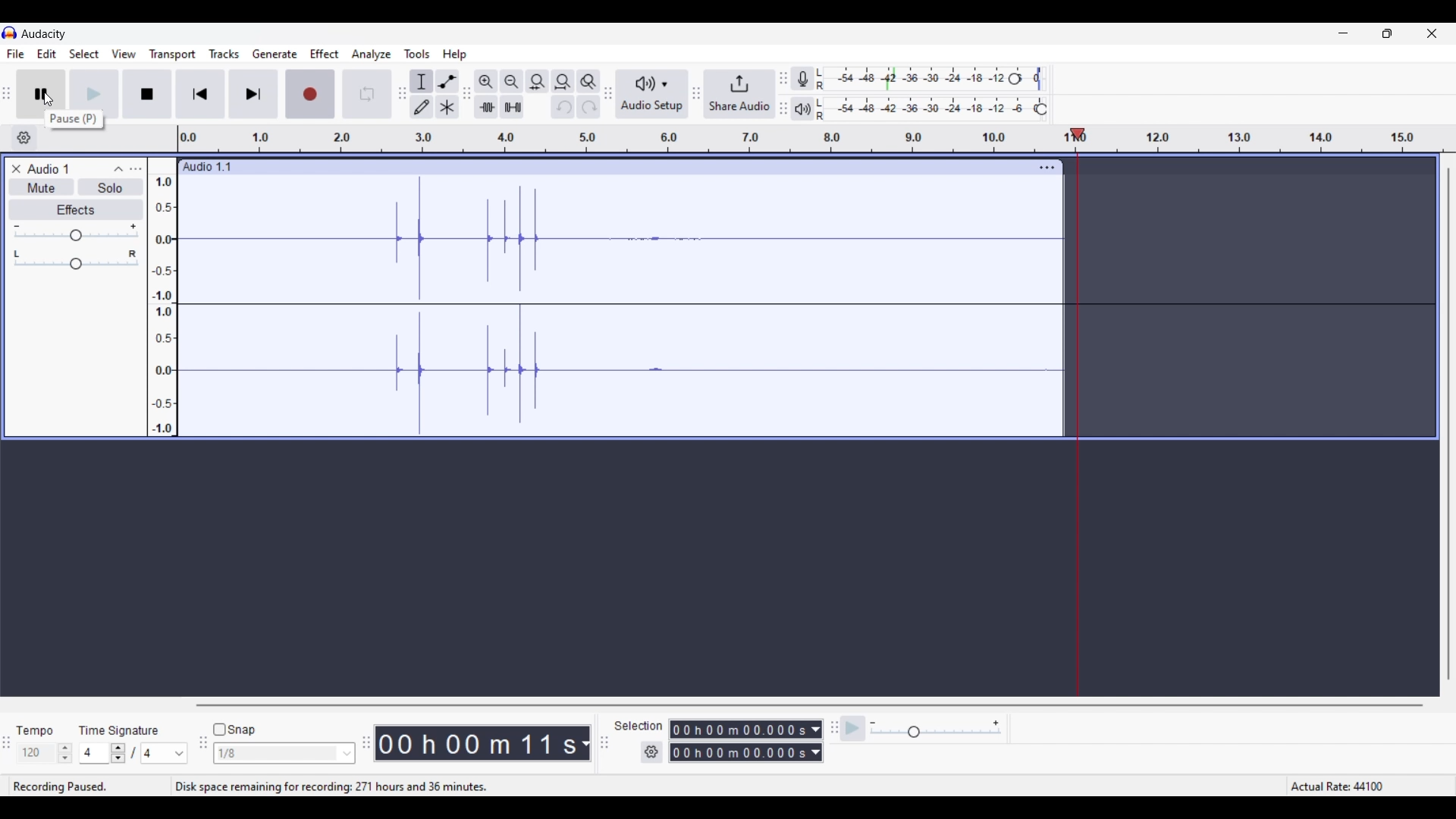  I want to click on Selection settings, so click(652, 753).